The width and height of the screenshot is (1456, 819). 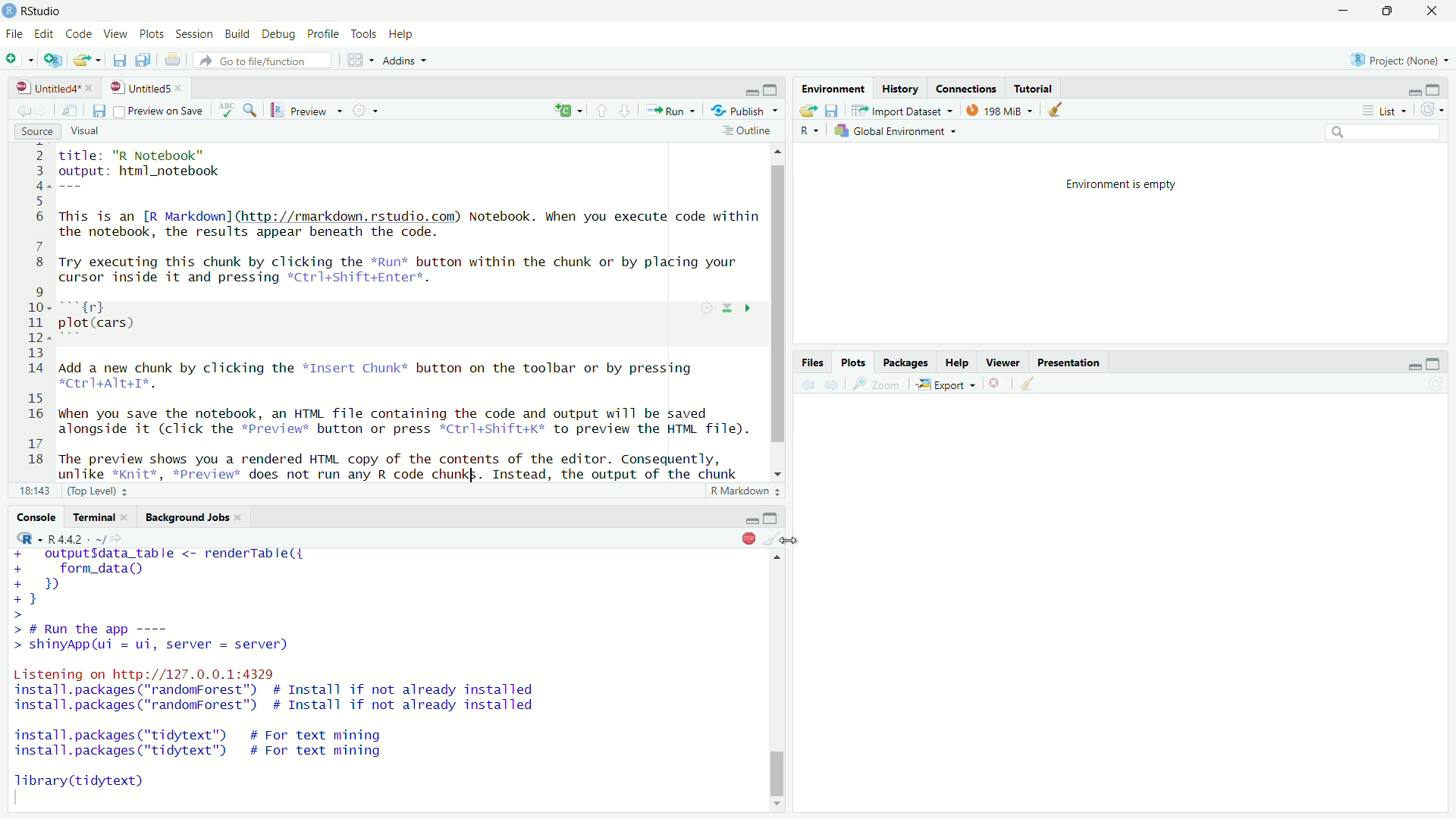 What do you see at coordinates (11, 11) in the screenshot?
I see `logo` at bounding box center [11, 11].